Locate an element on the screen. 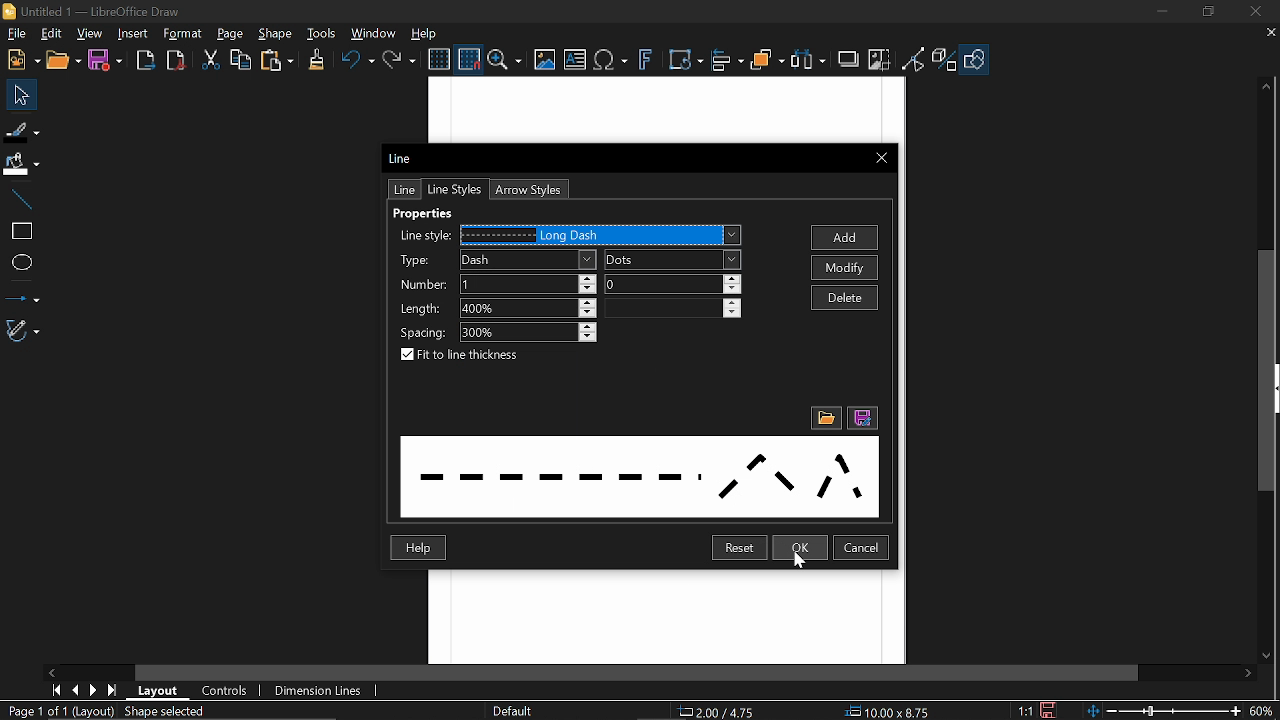 The width and height of the screenshot is (1280, 720). Insert text is located at coordinates (612, 61).